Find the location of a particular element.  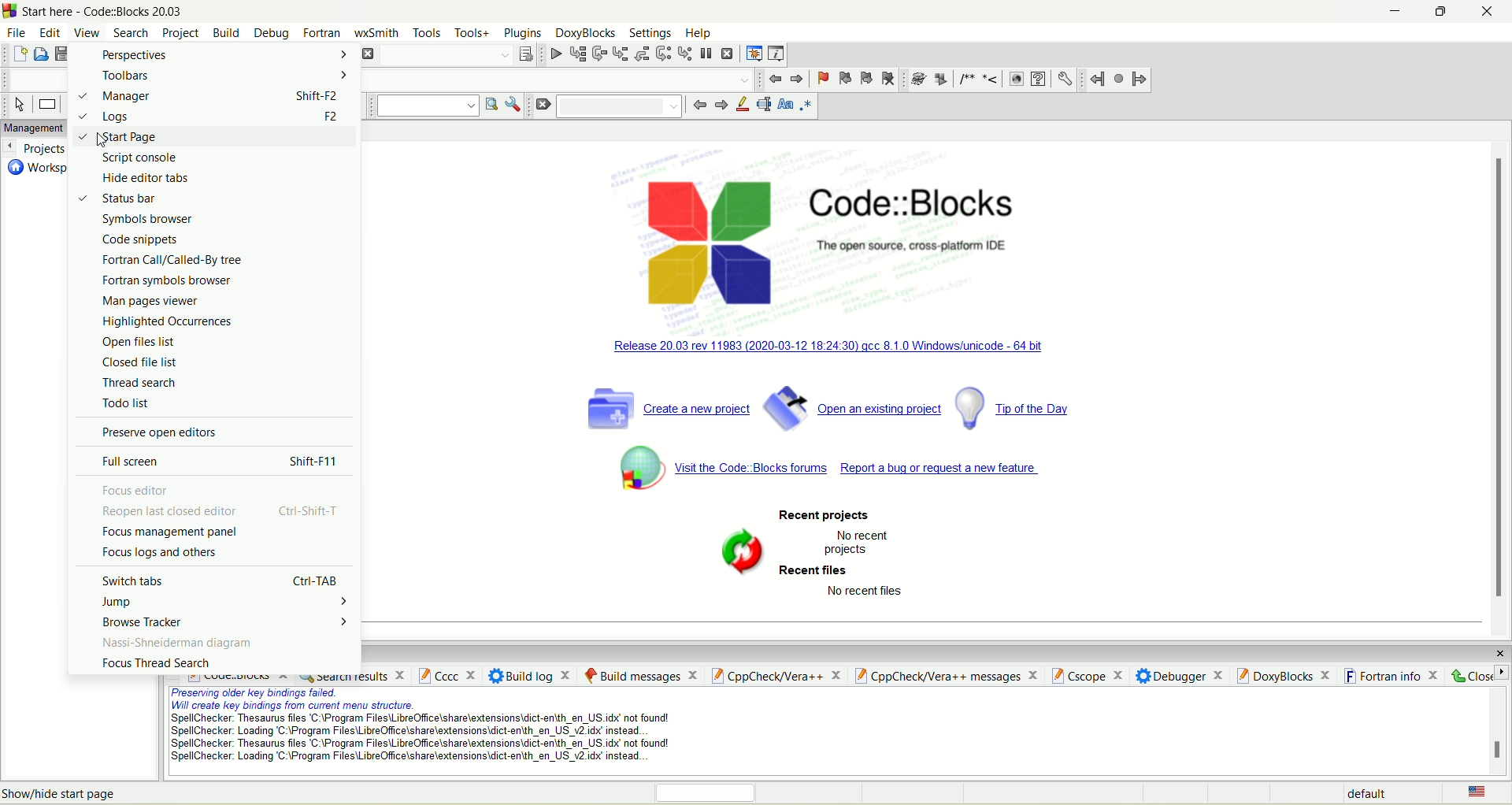

Insert comment block is located at coordinates (964, 79).